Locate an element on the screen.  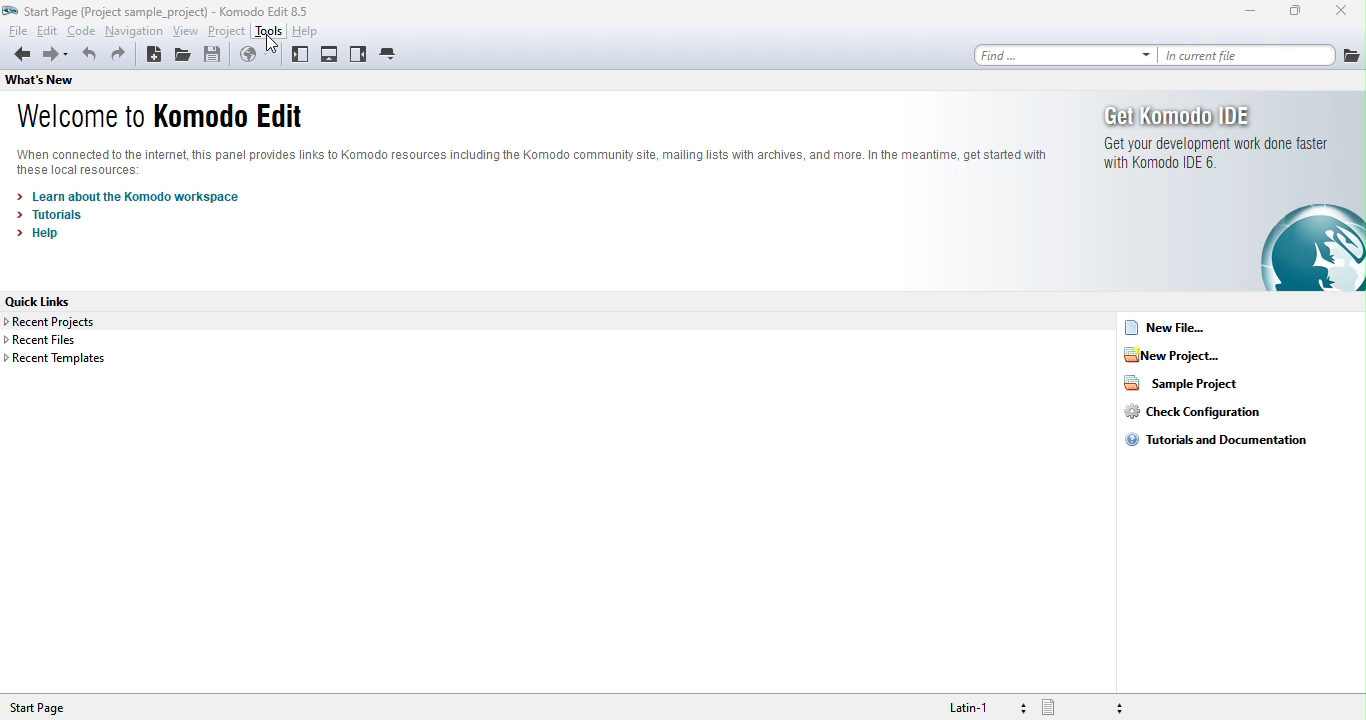
new file is located at coordinates (1189, 330).